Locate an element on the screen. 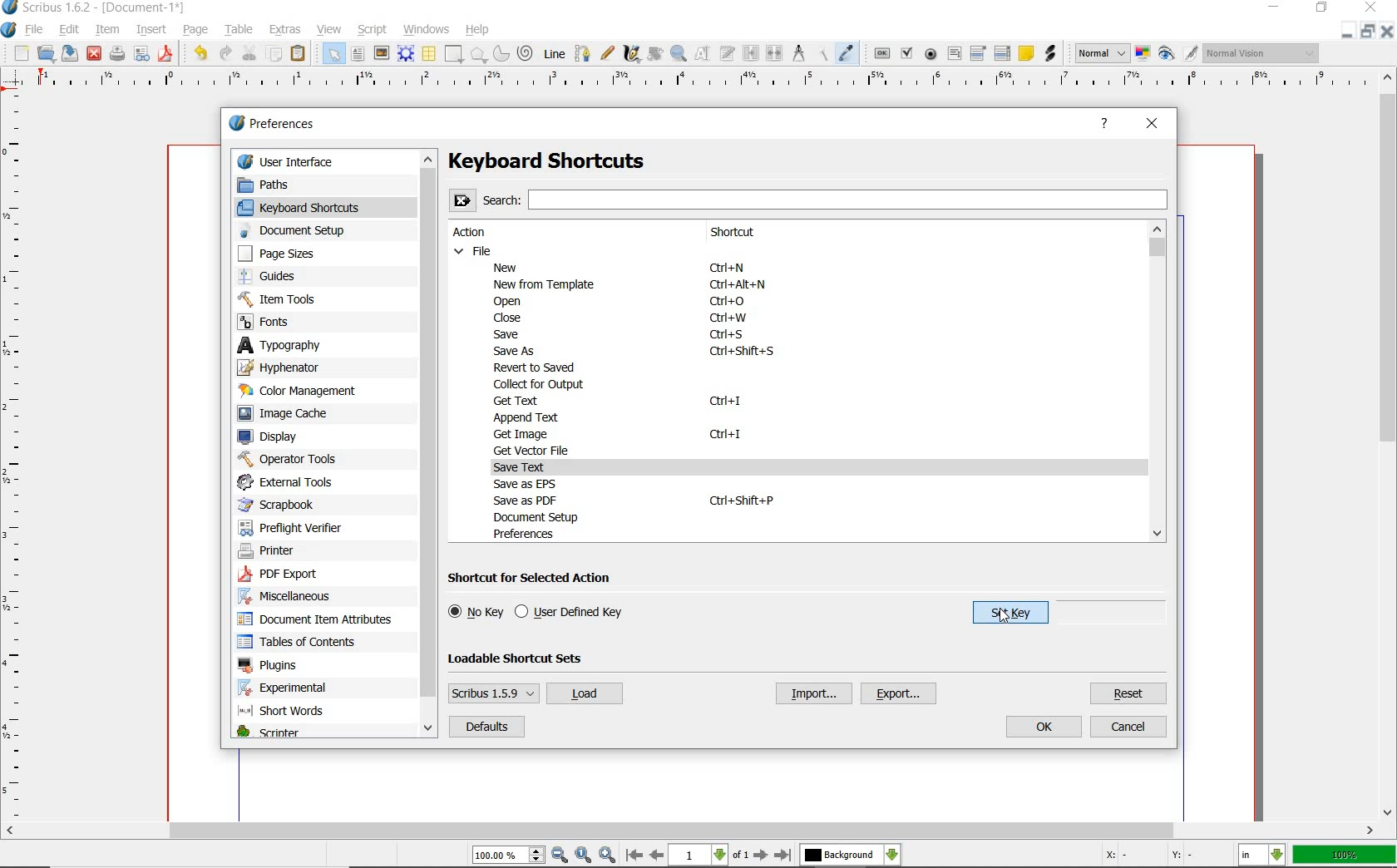 This screenshot has width=1397, height=868. Ctrl + Shift + S is located at coordinates (744, 352).